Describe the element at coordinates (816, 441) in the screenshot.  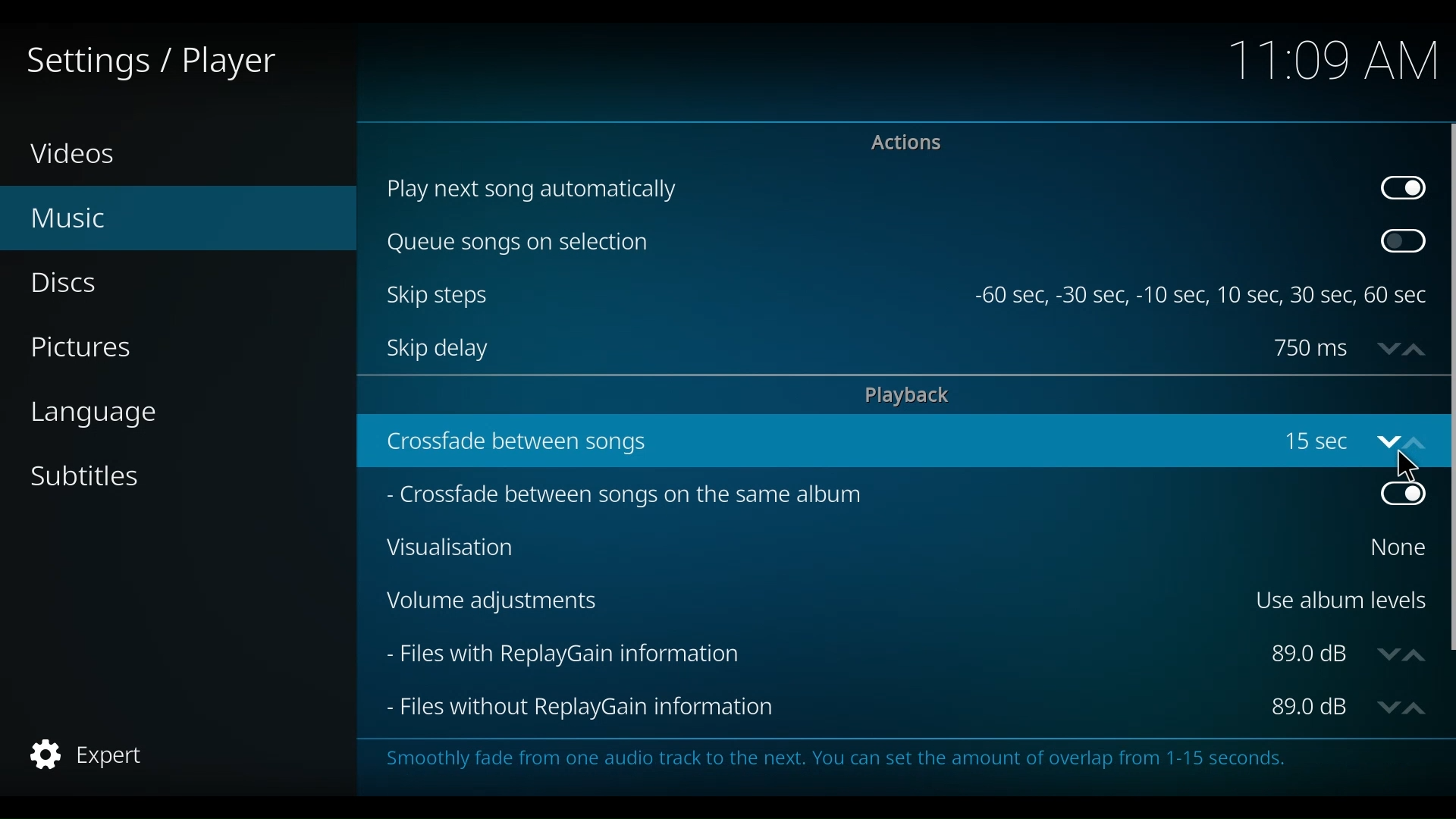
I see `crossfade between songs` at that location.